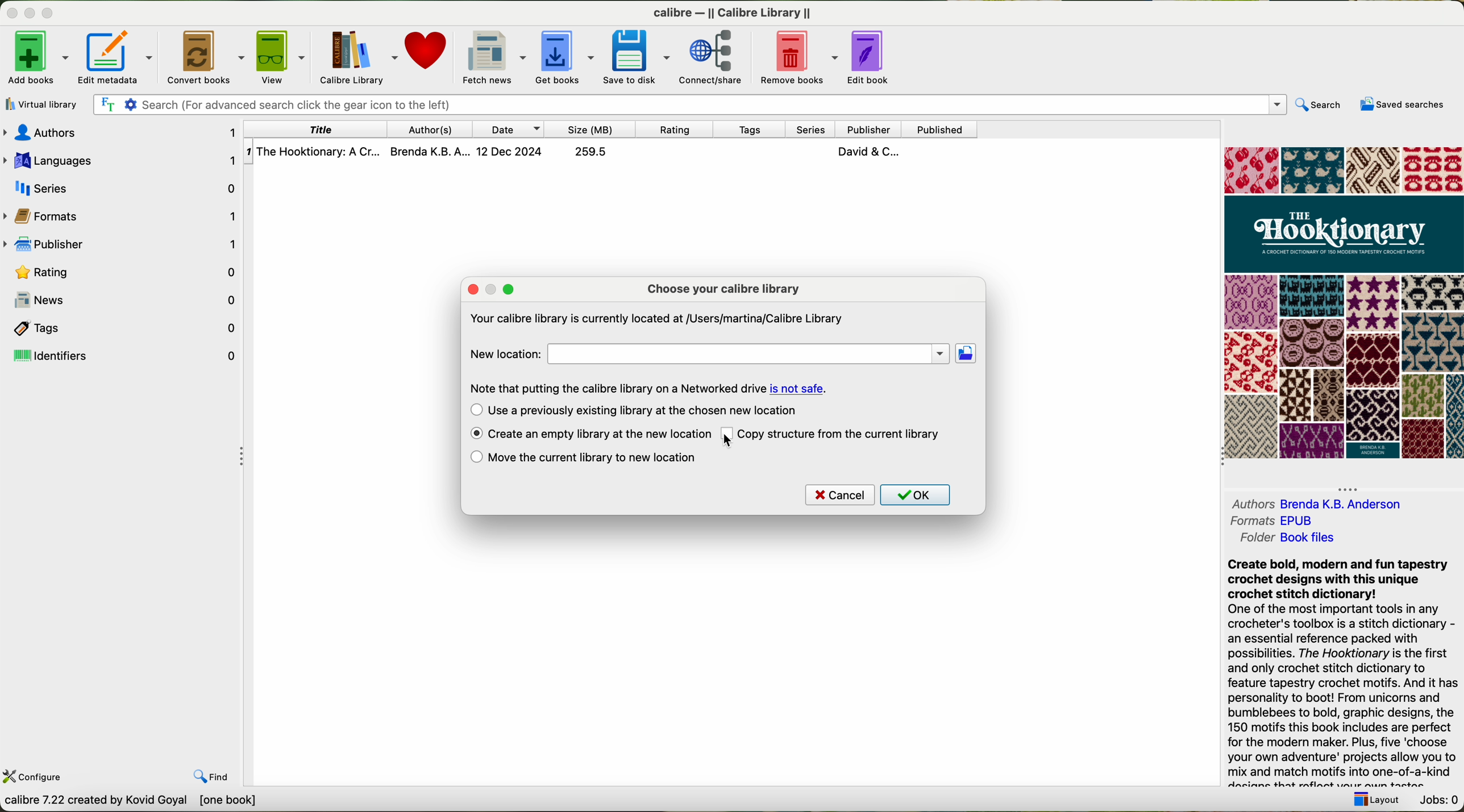 The width and height of the screenshot is (1464, 812). Describe the element at coordinates (727, 432) in the screenshot. I see `checkbox` at that location.